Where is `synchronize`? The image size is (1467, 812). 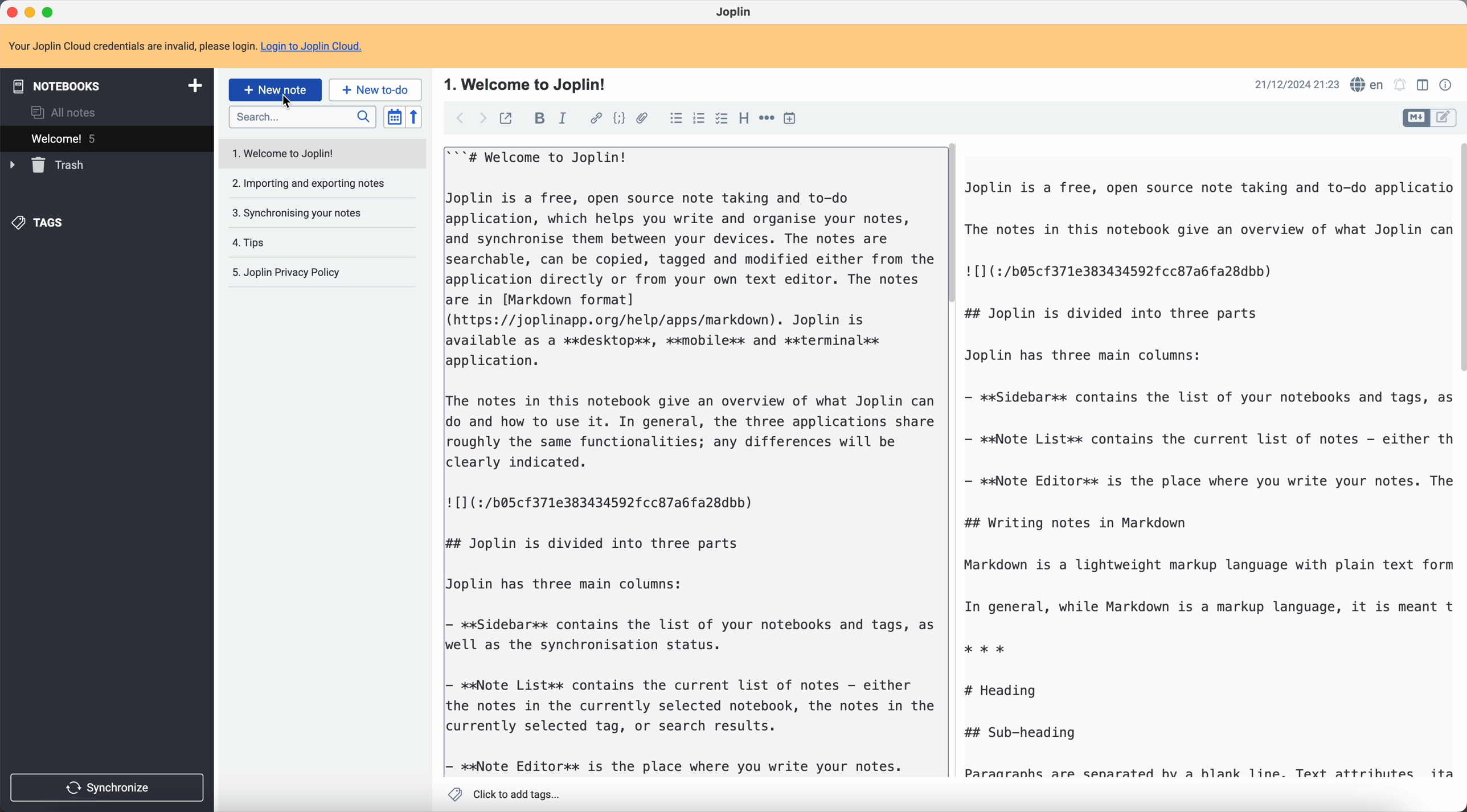
synchronize is located at coordinates (108, 788).